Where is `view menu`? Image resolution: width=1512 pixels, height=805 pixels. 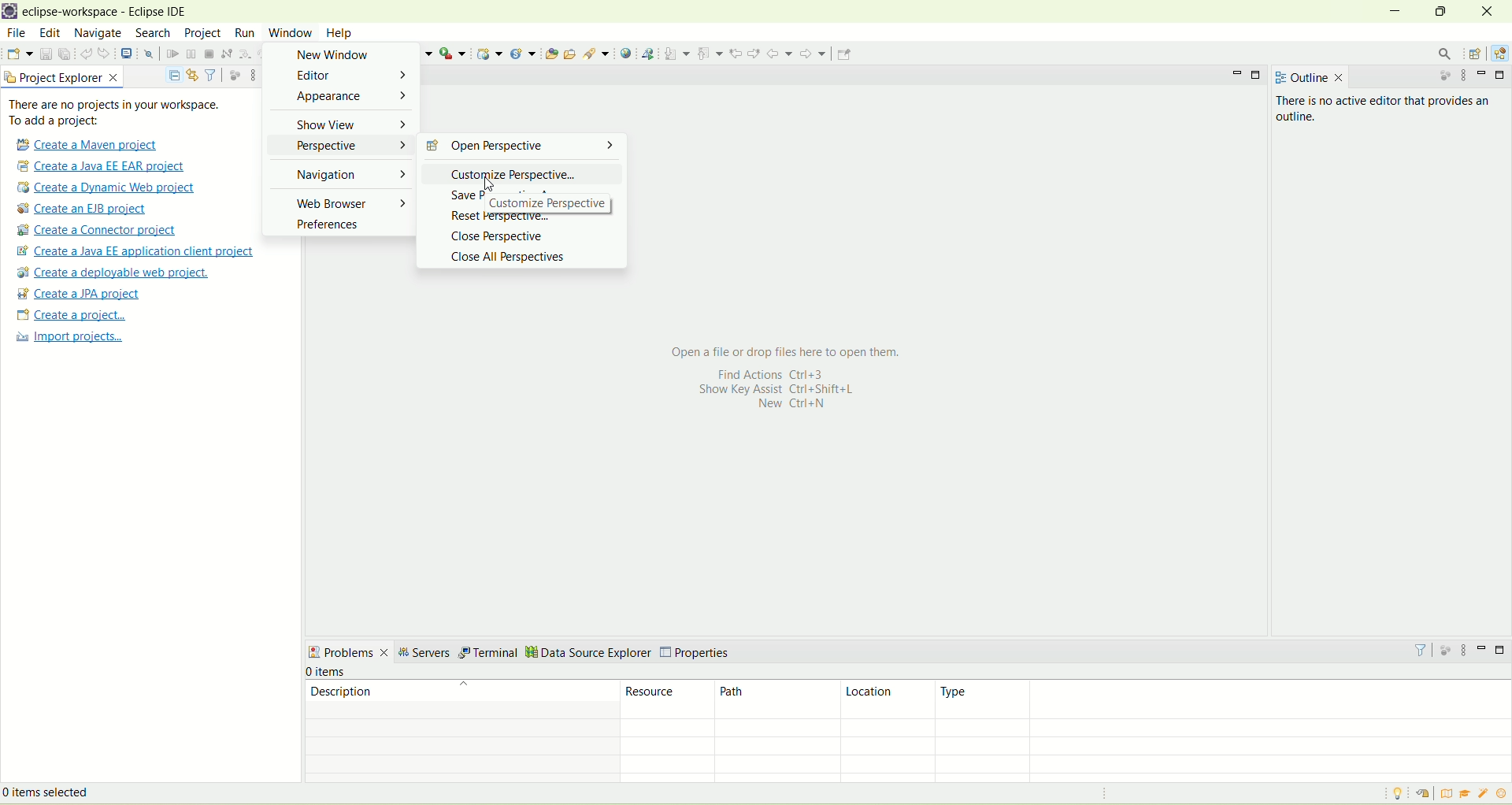
view menu is located at coordinates (1467, 651).